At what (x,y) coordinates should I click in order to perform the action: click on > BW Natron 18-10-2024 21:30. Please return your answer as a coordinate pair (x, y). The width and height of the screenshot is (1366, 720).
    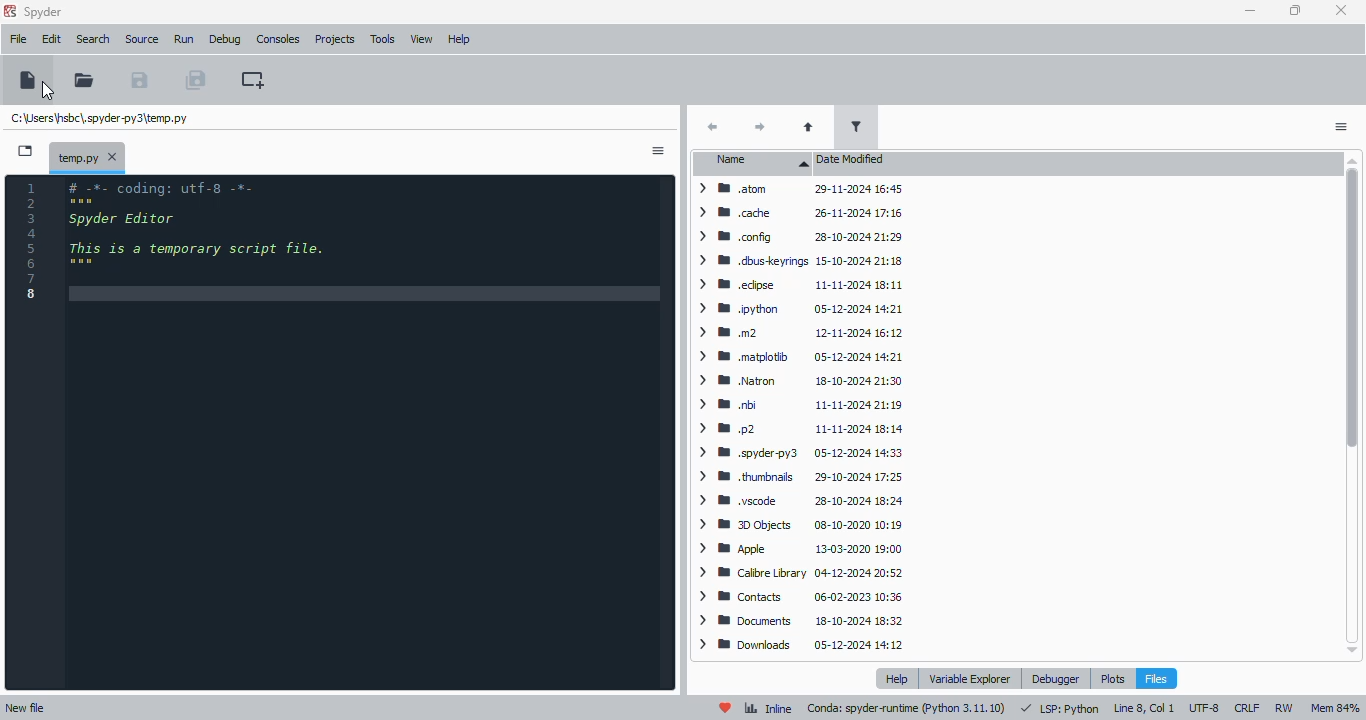
    Looking at the image, I should click on (797, 382).